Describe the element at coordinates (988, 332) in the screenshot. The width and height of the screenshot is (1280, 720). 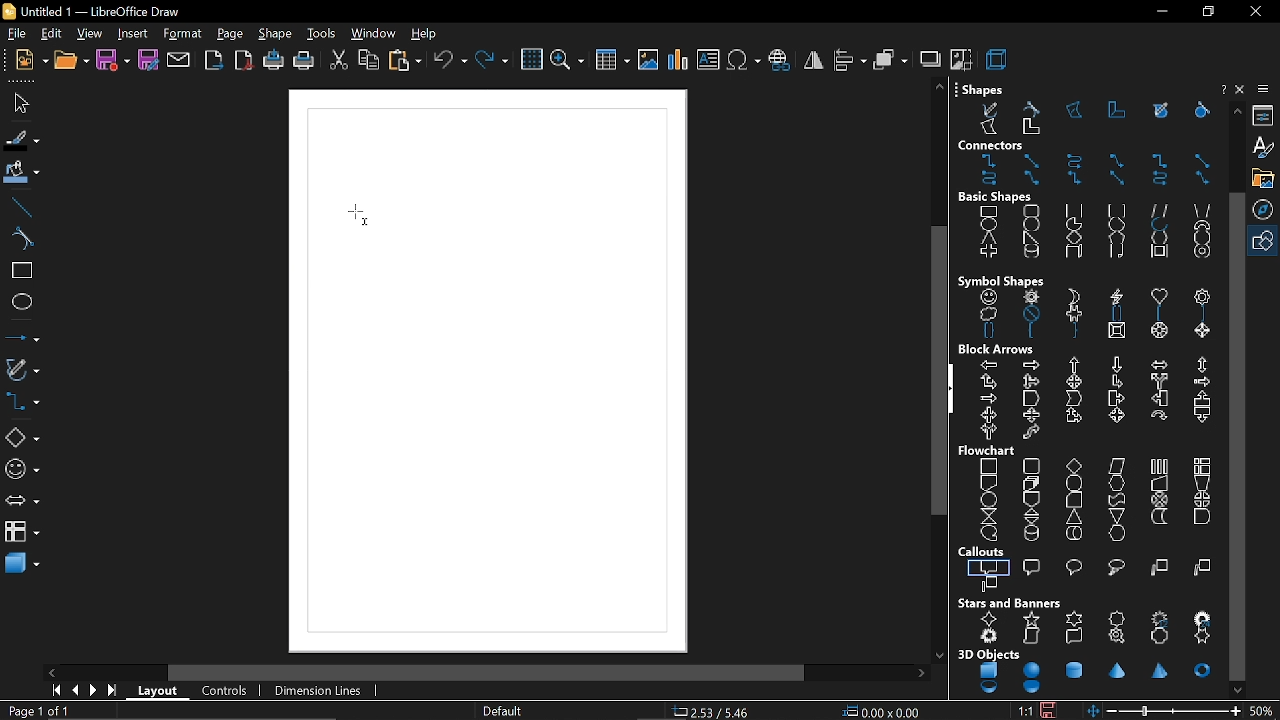
I see `double brace` at that location.